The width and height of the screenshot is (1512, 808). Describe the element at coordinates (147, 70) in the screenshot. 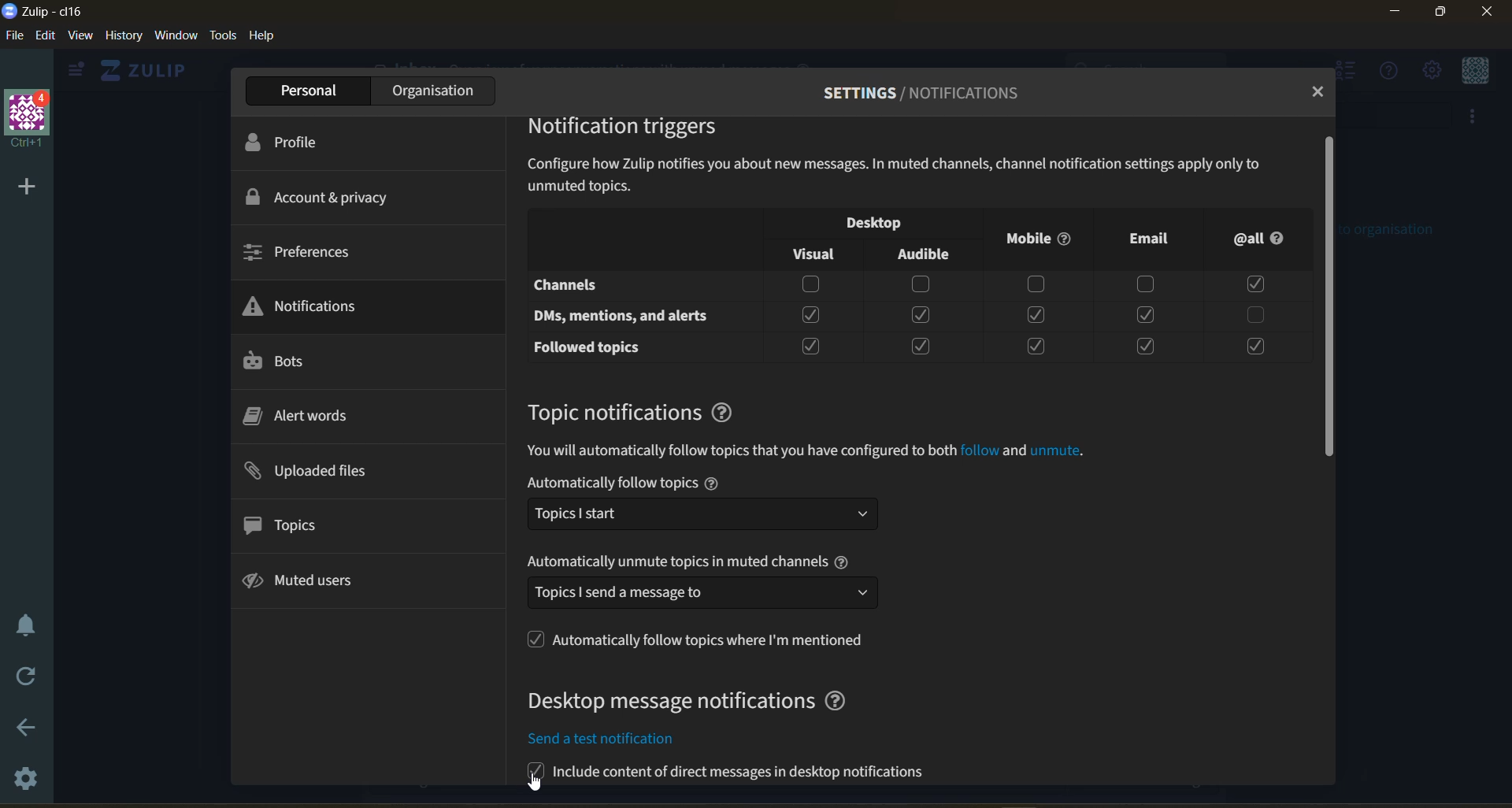

I see `home view` at that location.